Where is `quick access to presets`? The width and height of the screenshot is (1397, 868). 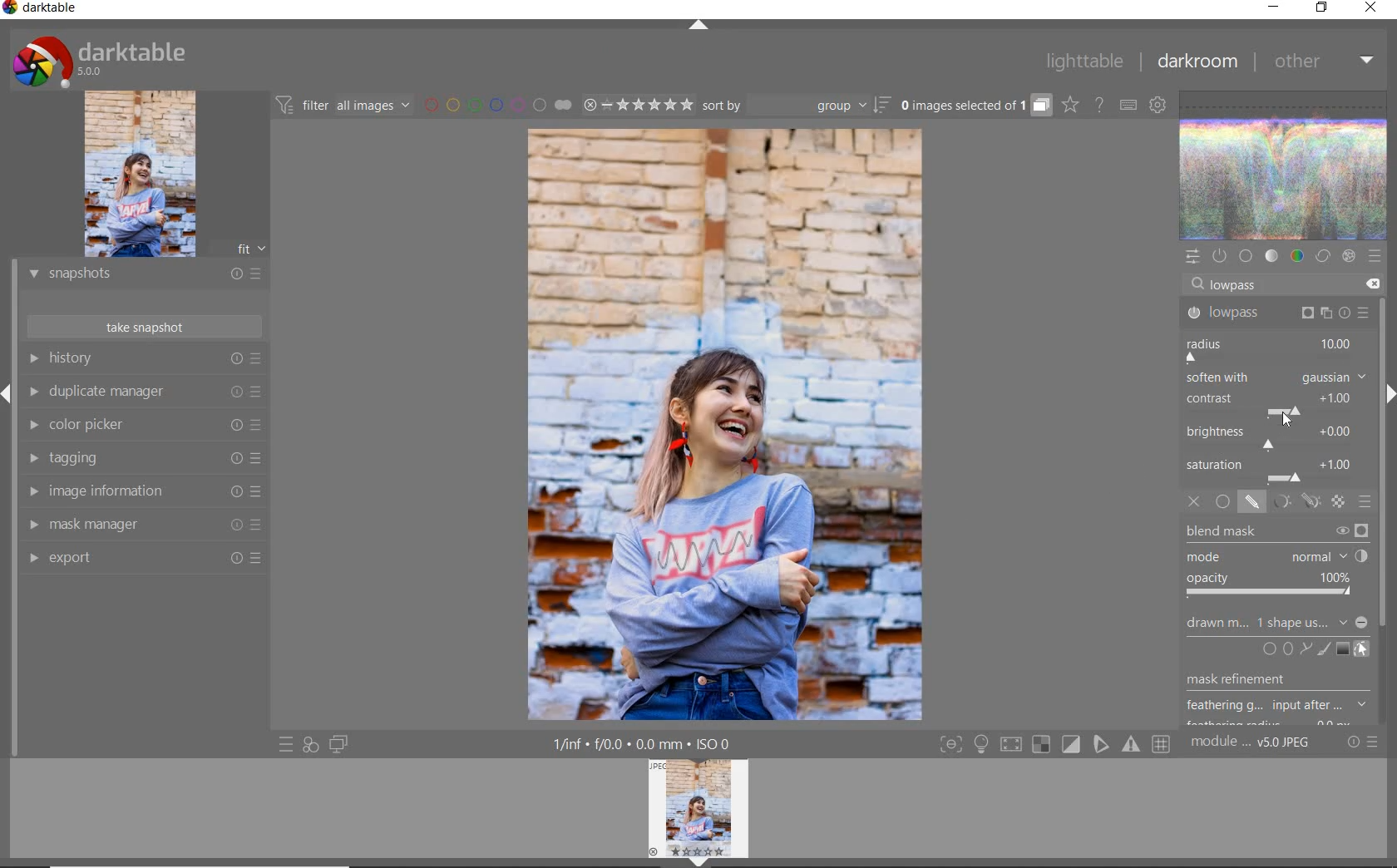
quick access to presets is located at coordinates (288, 743).